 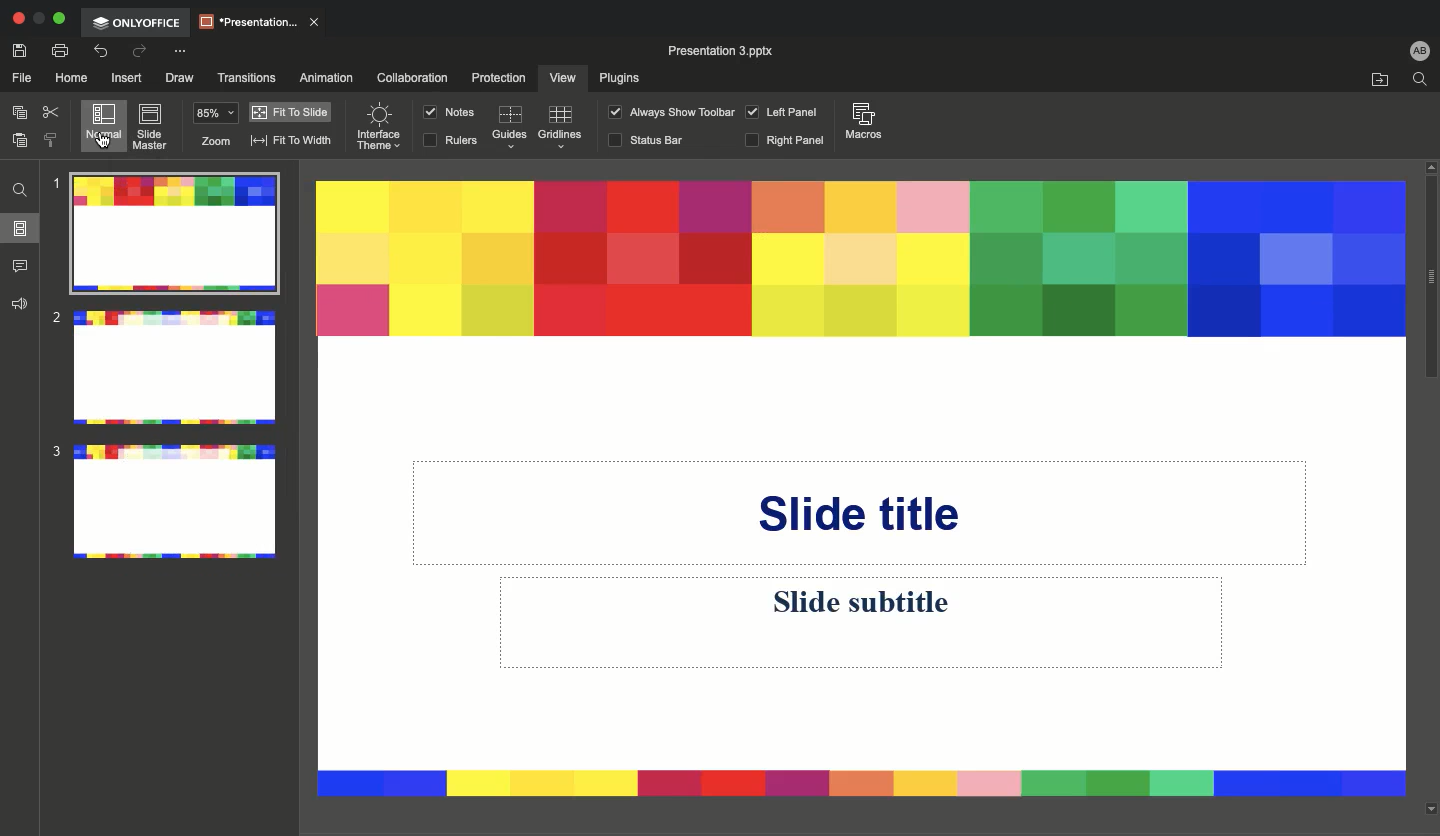 I want to click on OnlyOffice, so click(x=139, y=22).